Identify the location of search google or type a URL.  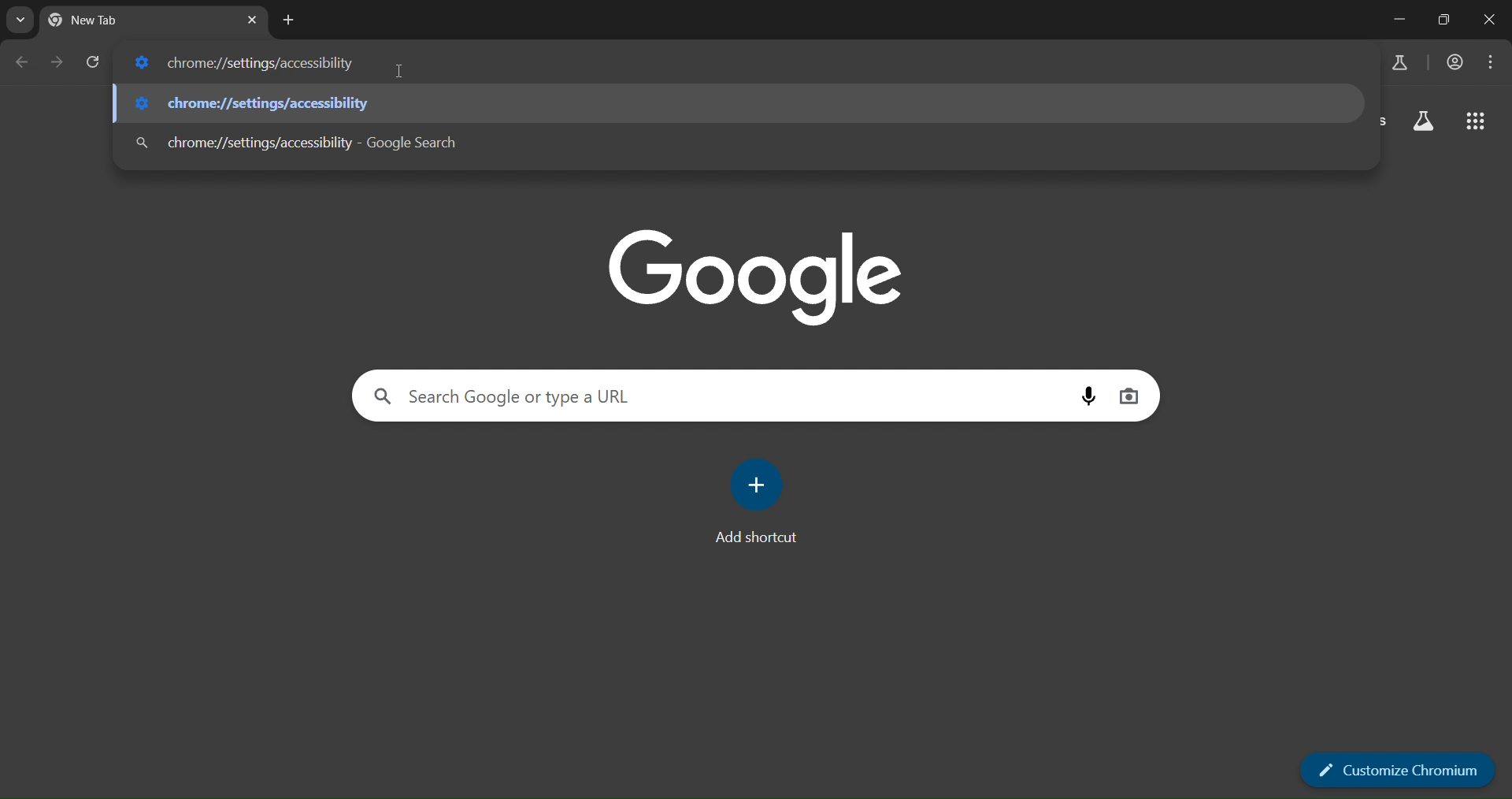
(721, 394).